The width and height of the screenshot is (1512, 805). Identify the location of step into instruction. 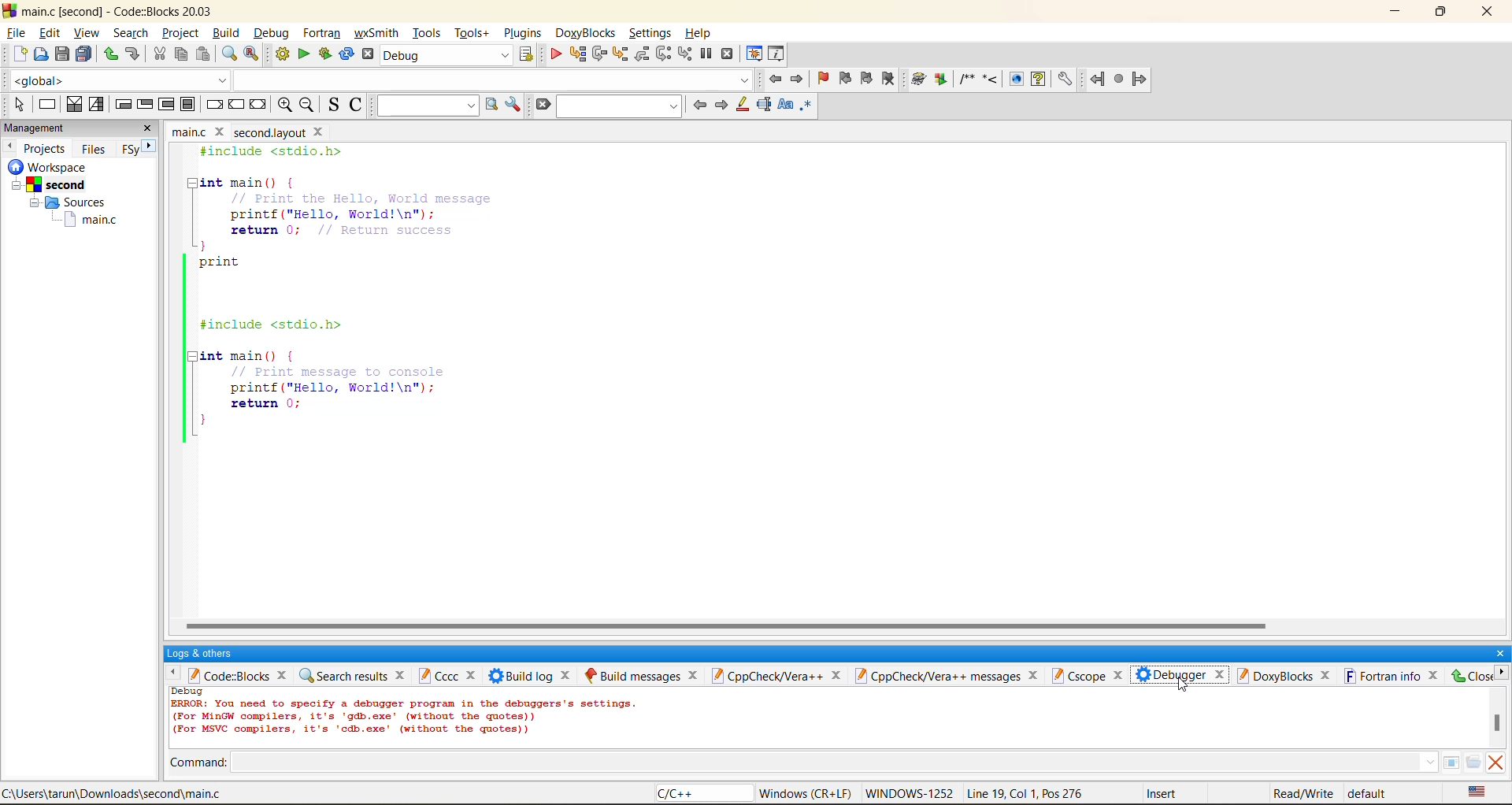
(686, 54).